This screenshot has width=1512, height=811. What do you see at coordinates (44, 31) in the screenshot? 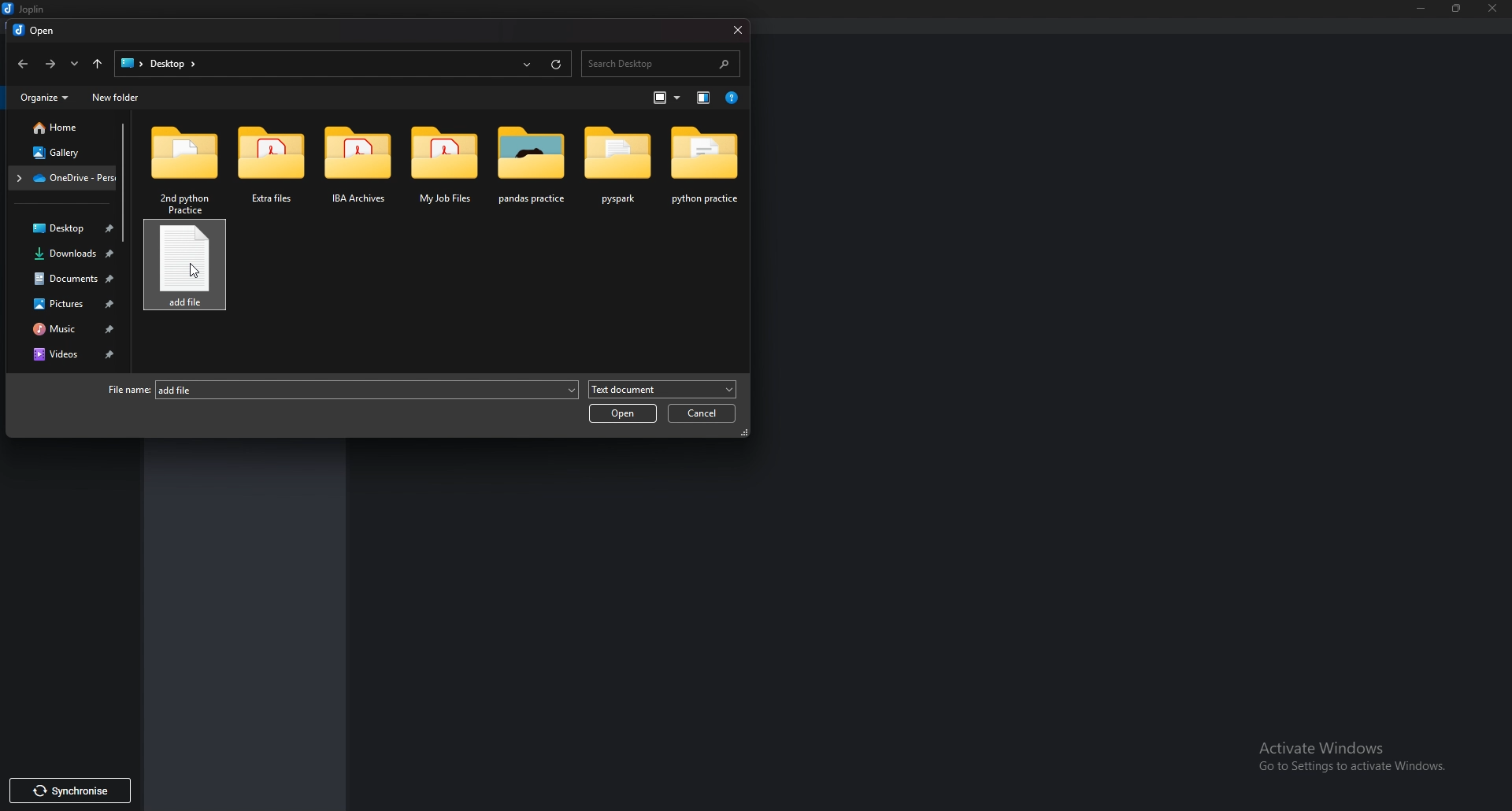
I see `open` at bounding box center [44, 31].